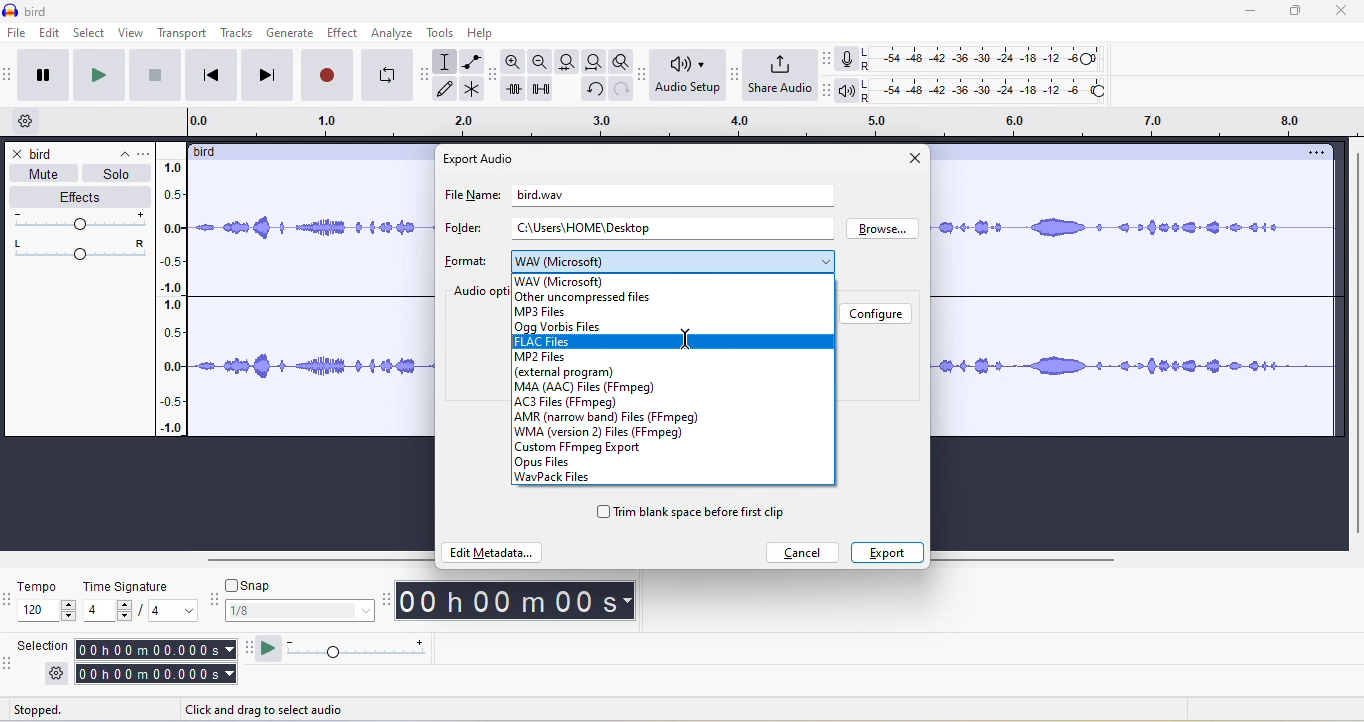 The height and width of the screenshot is (722, 1364). What do you see at coordinates (479, 292) in the screenshot?
I see `audio options` at bounding box center [479, 292].